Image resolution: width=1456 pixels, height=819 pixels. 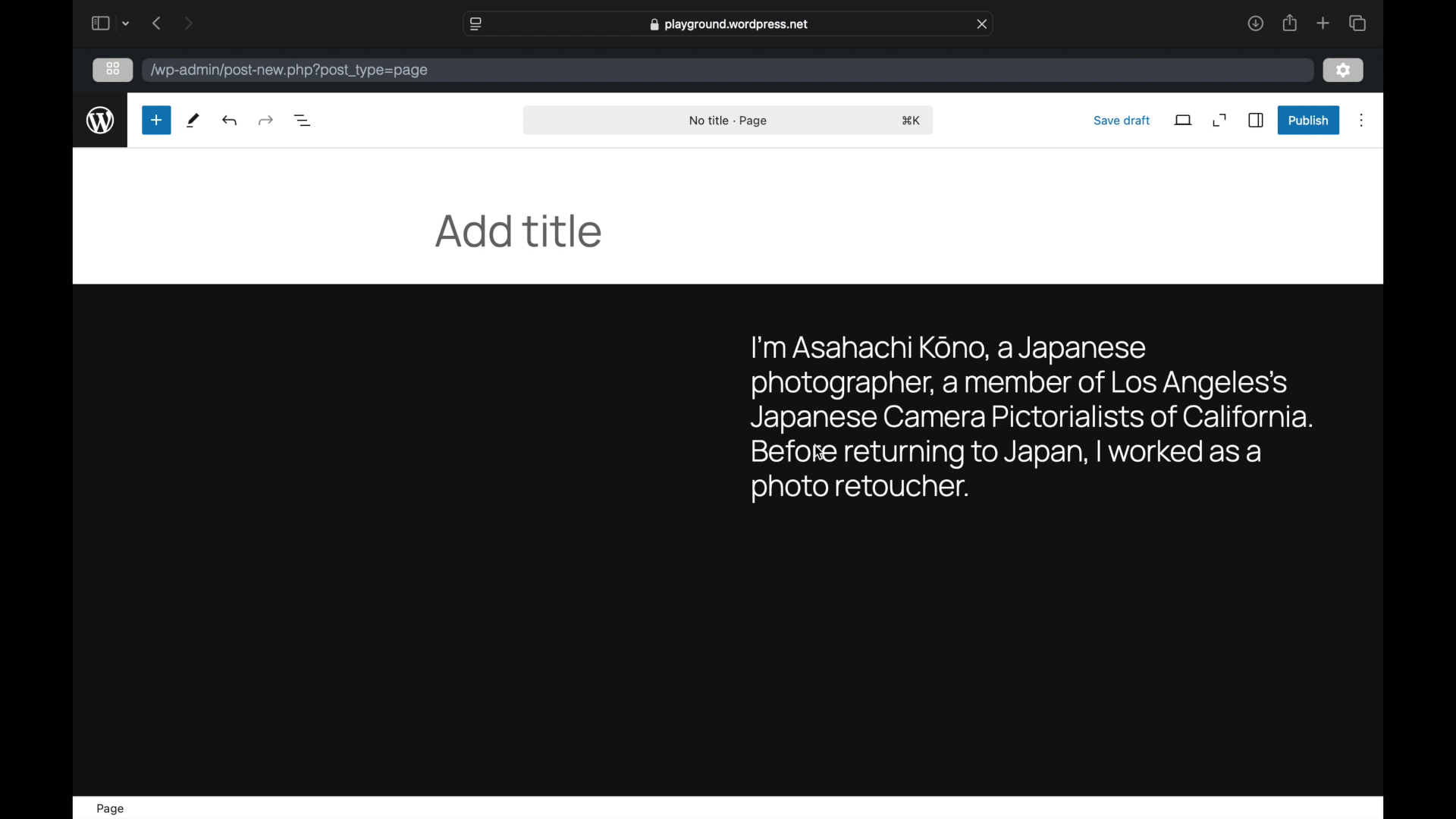 What do you see at coordinates (983, 24) in the screenshot?
I see `close` at bounding box center [983, 24].